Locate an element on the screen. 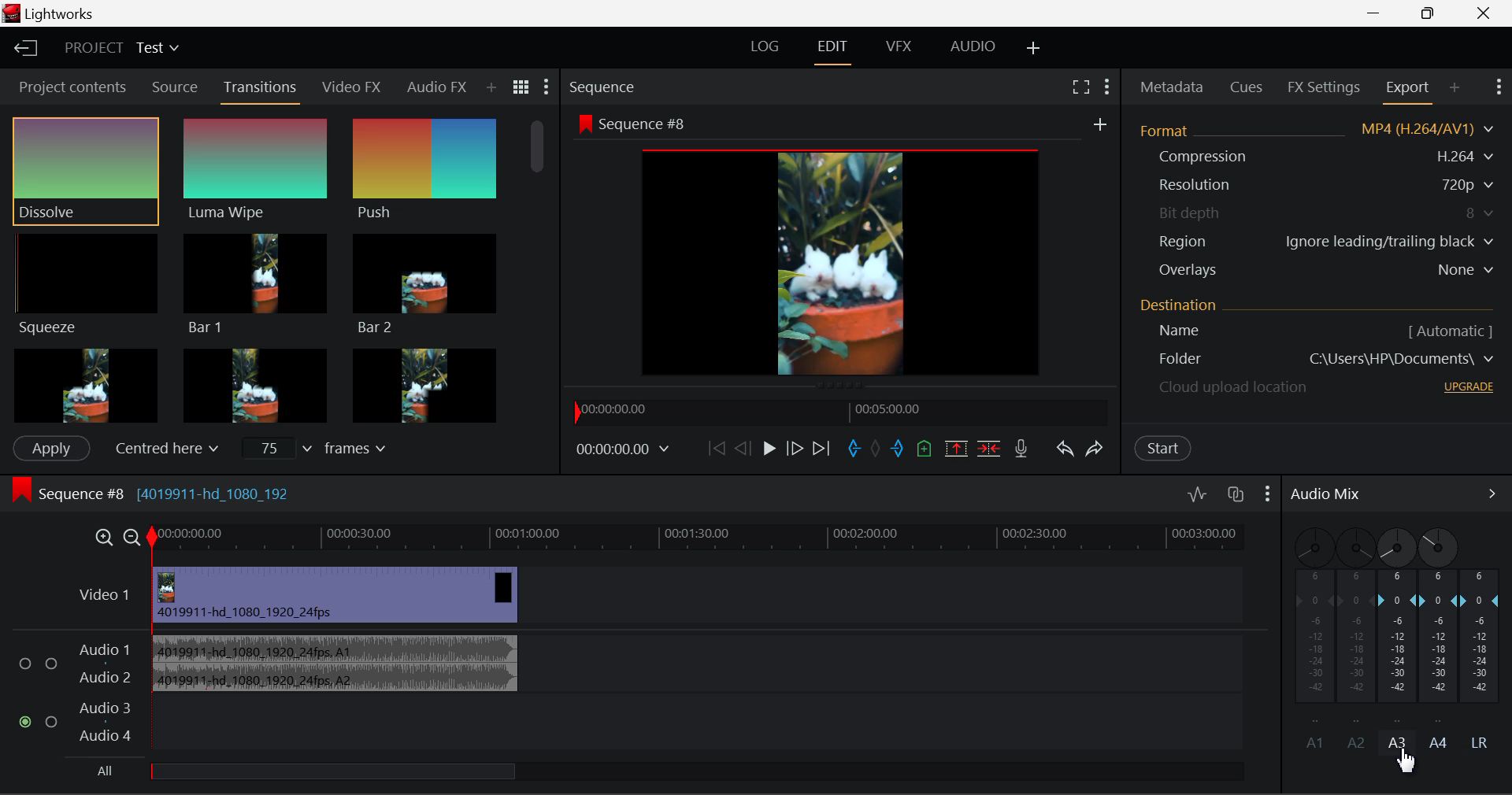  Lightworks is located at coordinates (49, 13).